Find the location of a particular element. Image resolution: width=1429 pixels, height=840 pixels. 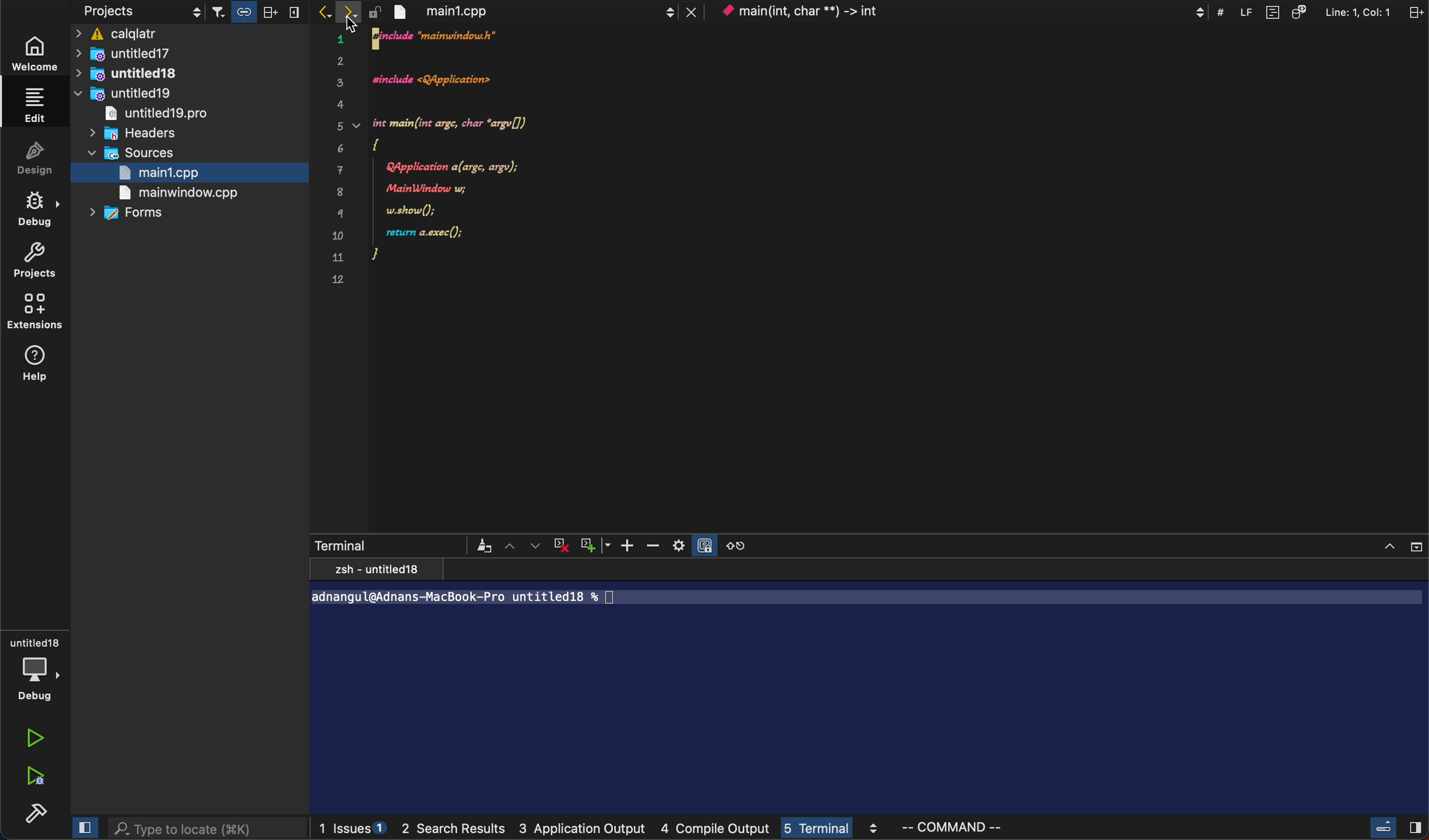

main window is located at coordinates (175, 194).